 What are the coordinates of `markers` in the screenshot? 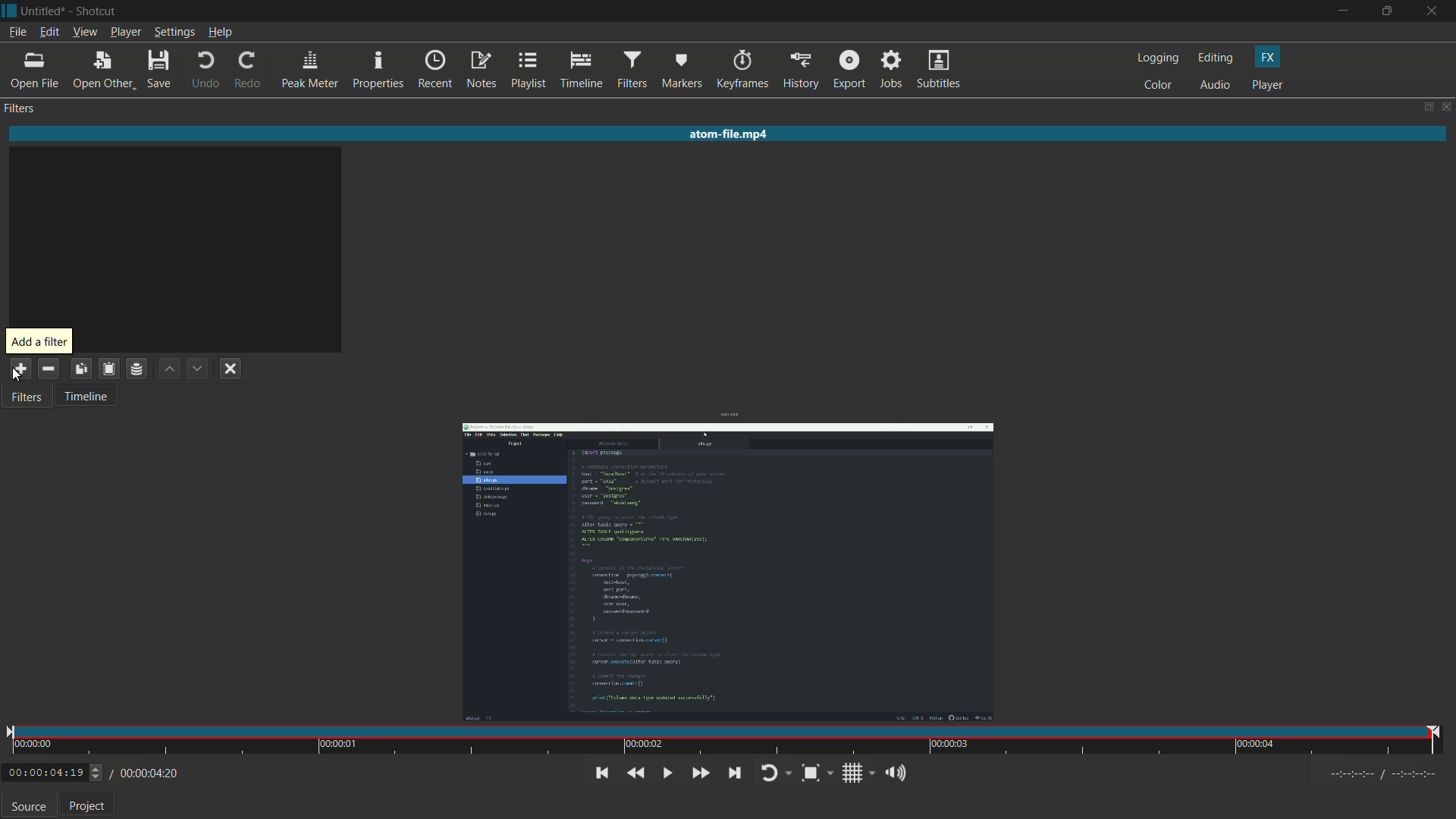 It's located at (680, 73).